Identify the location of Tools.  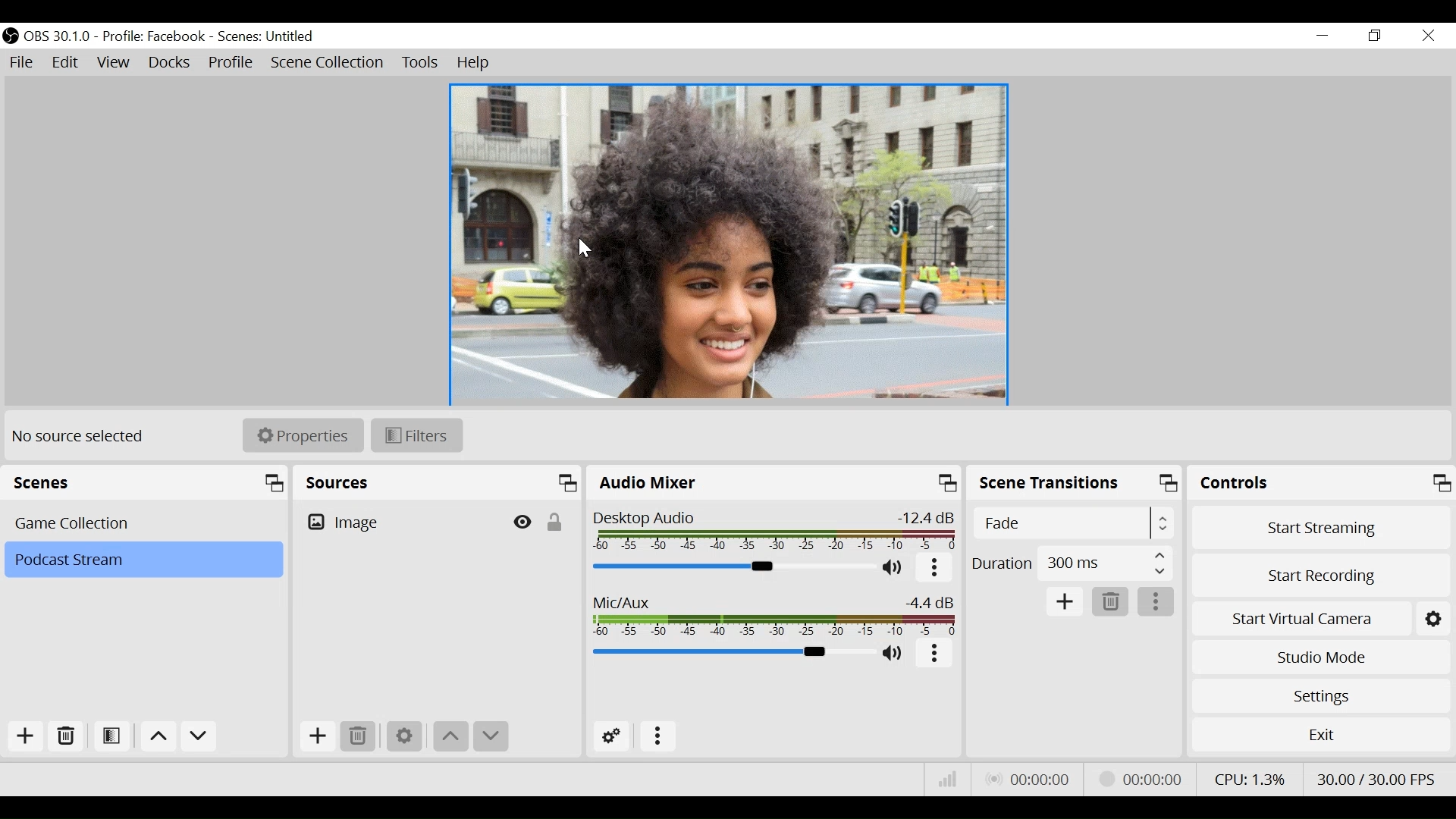
(418, 64).